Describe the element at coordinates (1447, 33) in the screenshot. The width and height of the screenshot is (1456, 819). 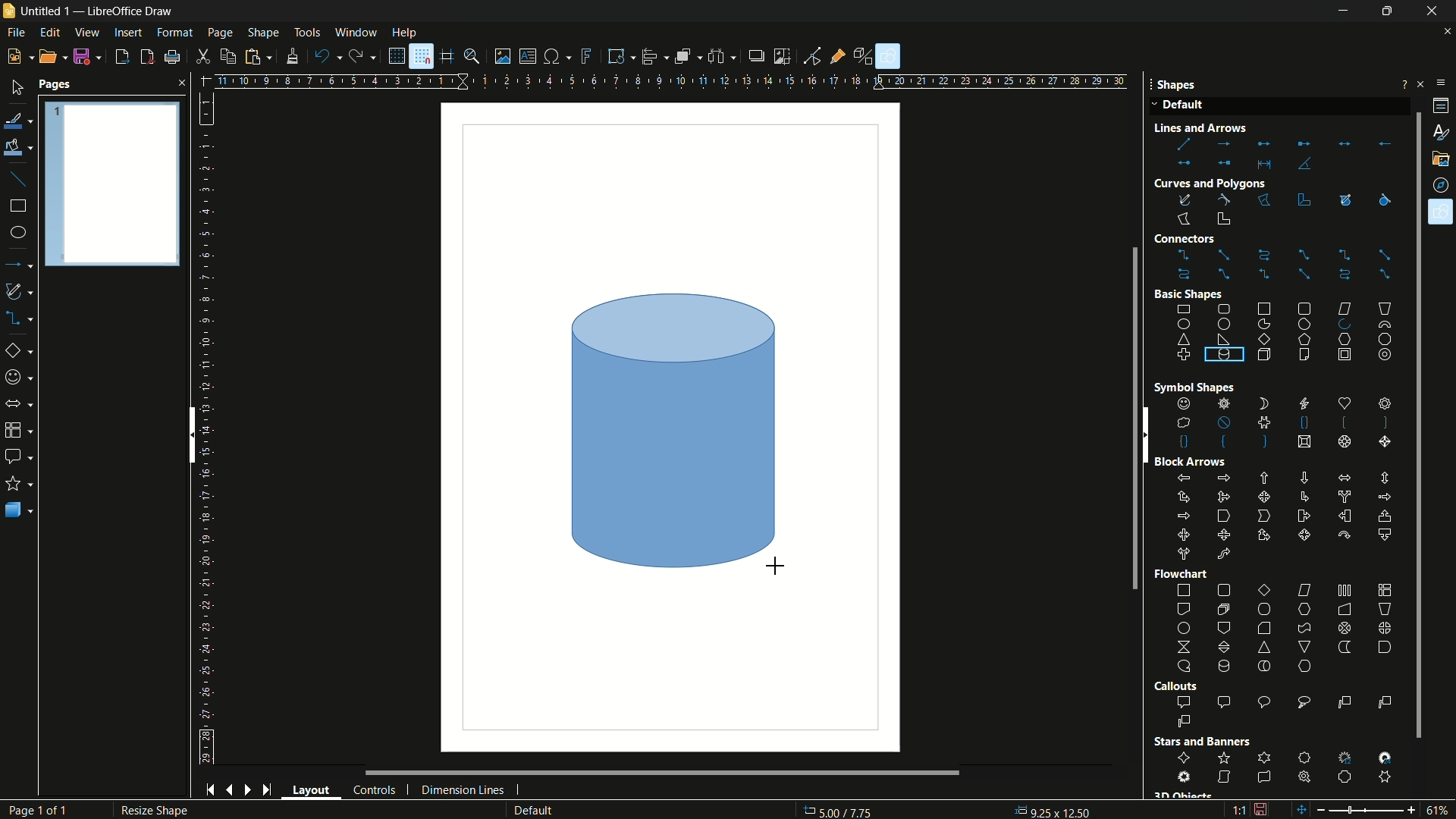
I see `close document` at that location.